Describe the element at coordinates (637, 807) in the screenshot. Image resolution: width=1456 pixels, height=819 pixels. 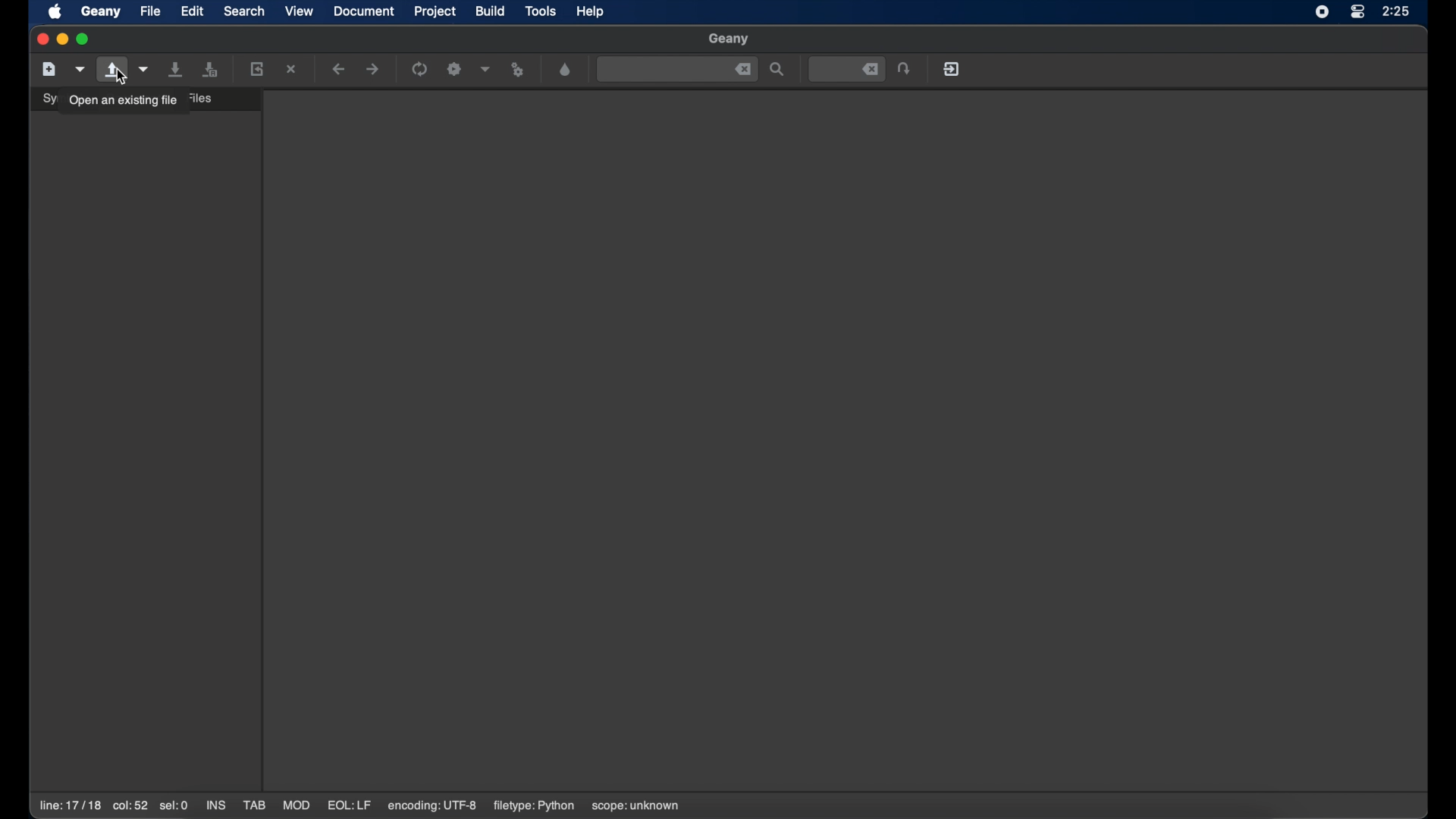
I see `scope: unknown` at that location.